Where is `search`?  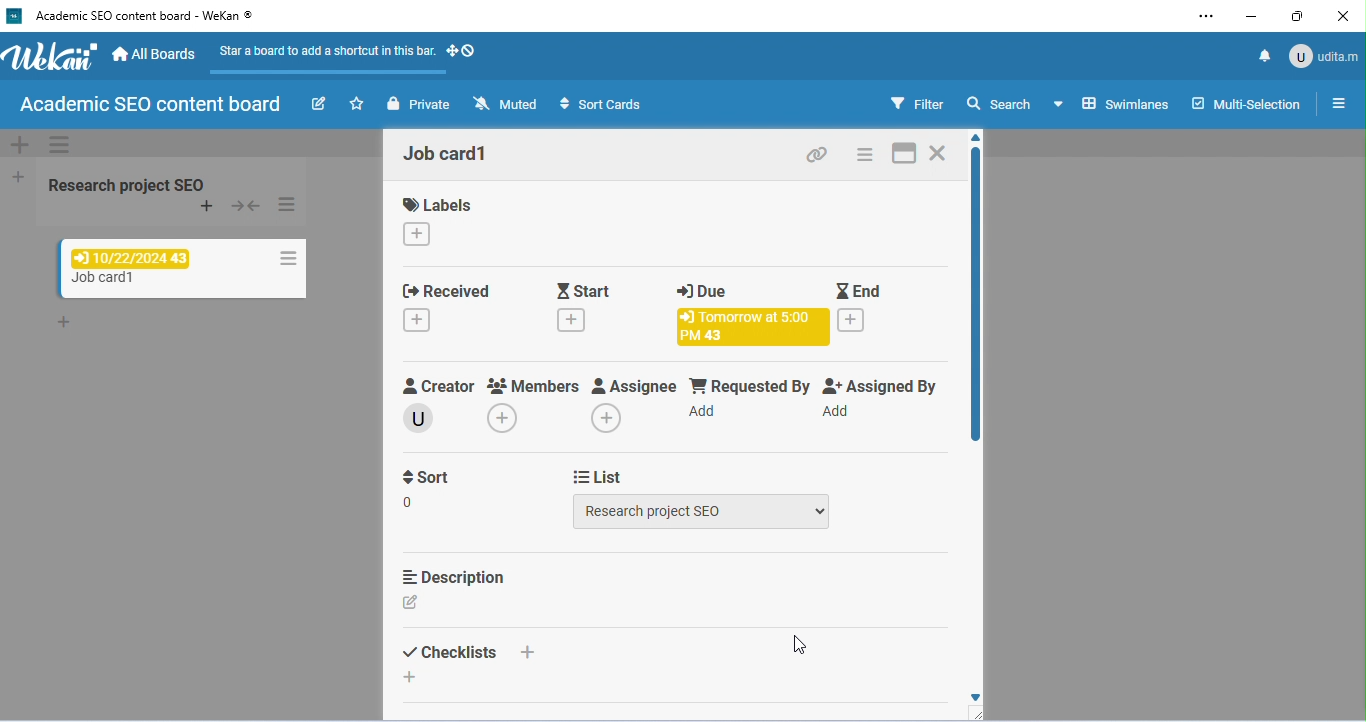 search is located at coordinates (999, 102).